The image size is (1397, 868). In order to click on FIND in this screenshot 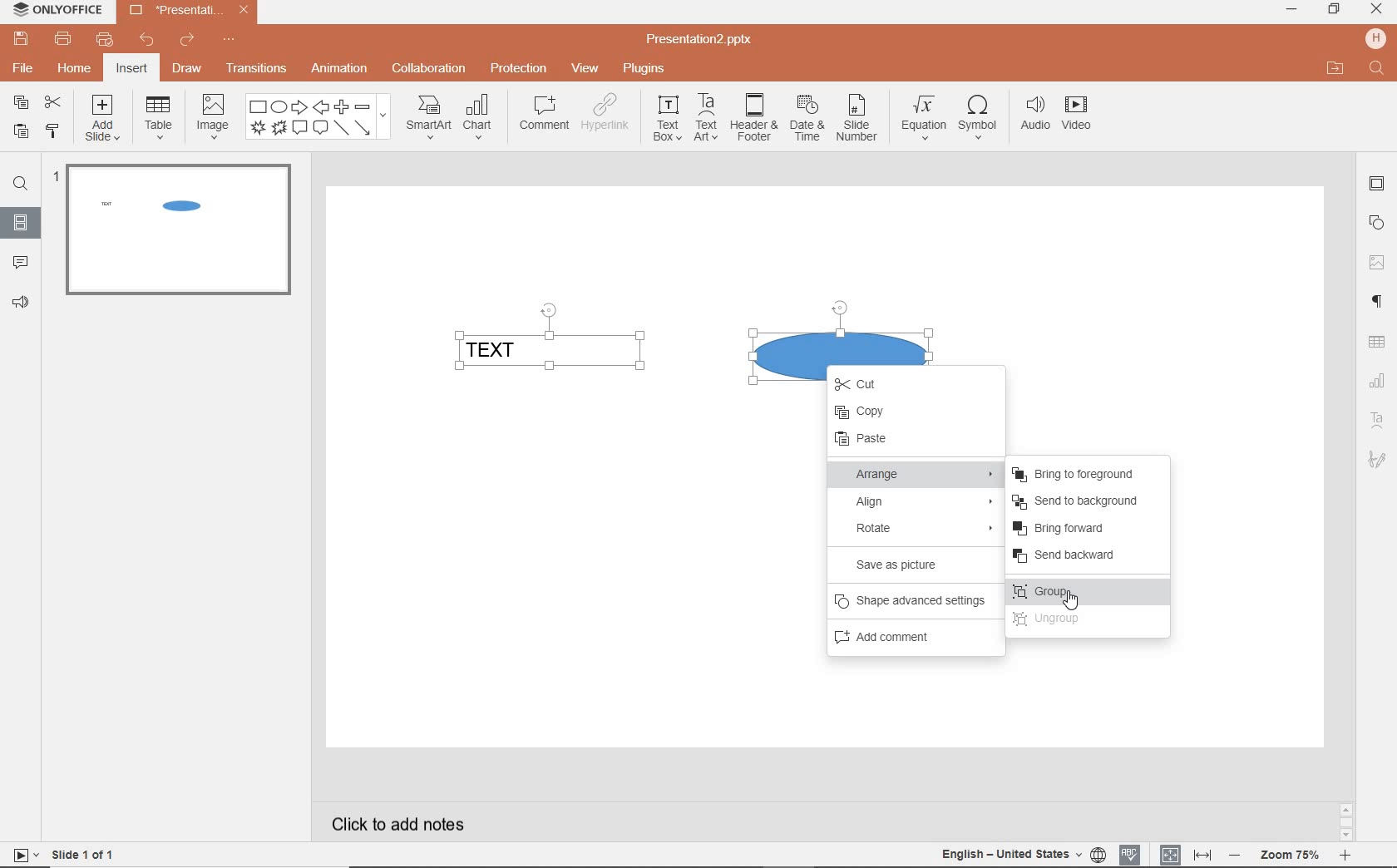, I will do `click(1379, 70)`.